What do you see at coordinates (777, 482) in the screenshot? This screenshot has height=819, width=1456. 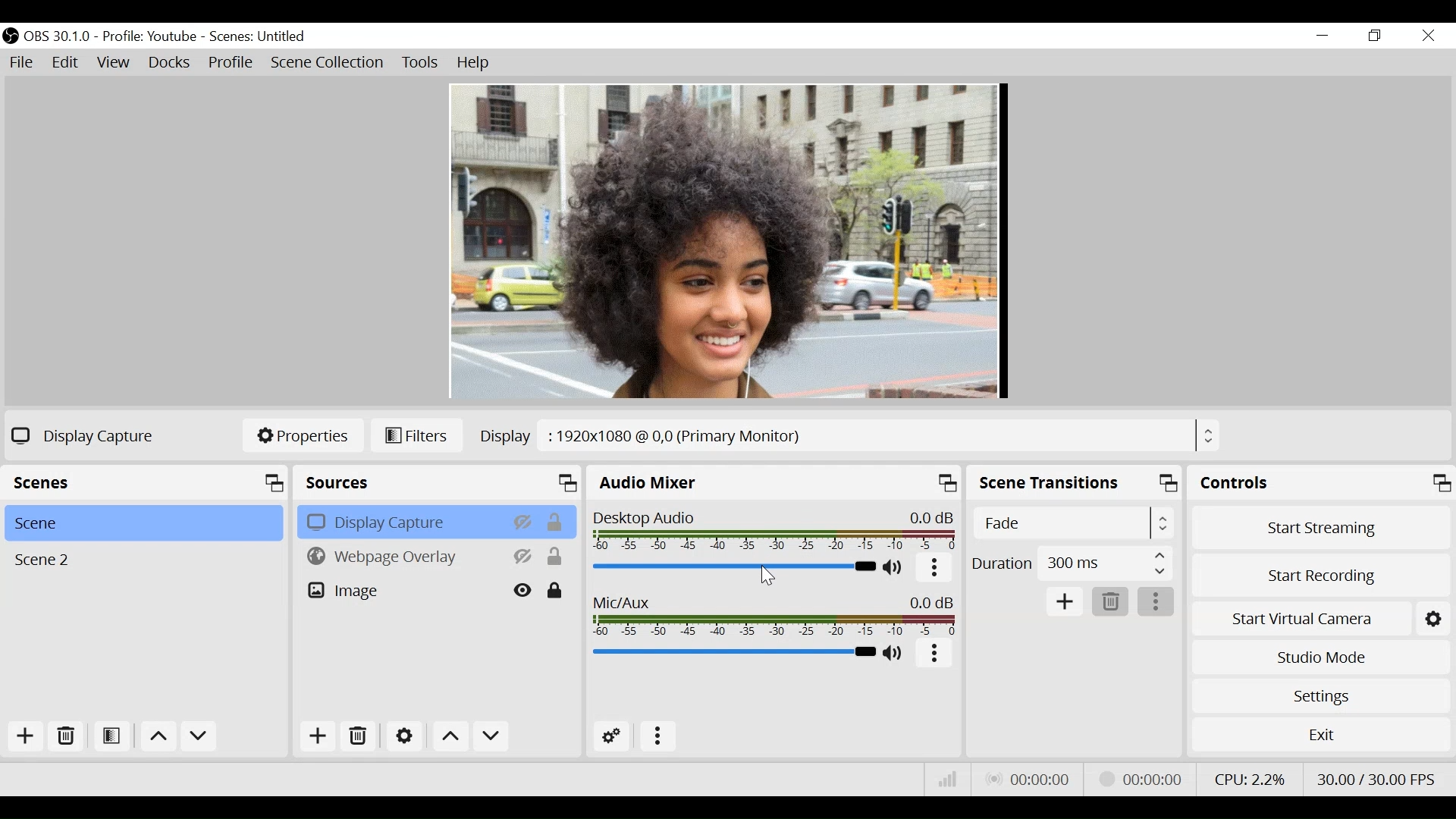 I see `Audio Mixer` at bounding box center [777, 482].